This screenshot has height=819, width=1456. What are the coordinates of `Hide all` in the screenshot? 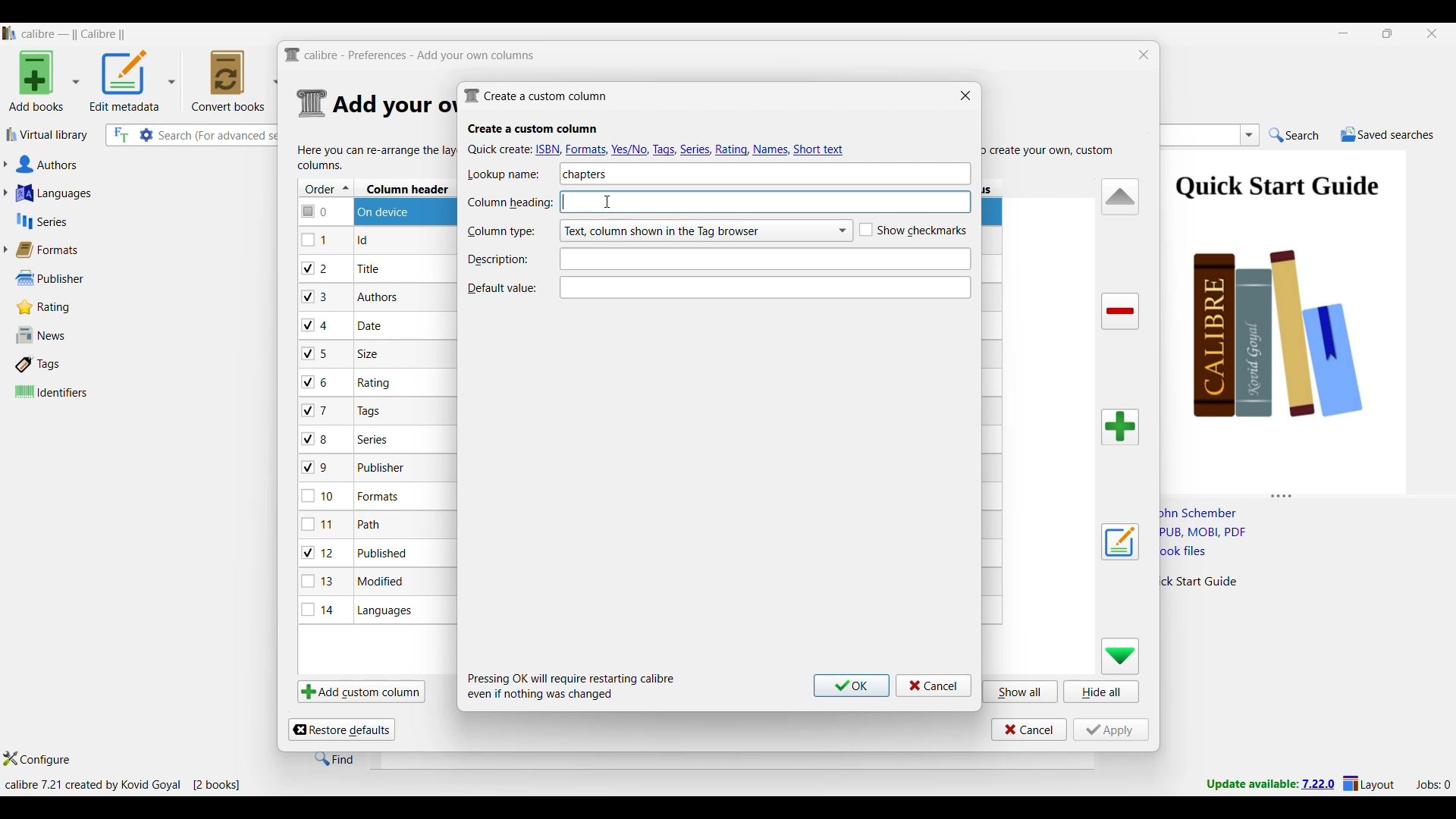 It's located at (1101, 692).